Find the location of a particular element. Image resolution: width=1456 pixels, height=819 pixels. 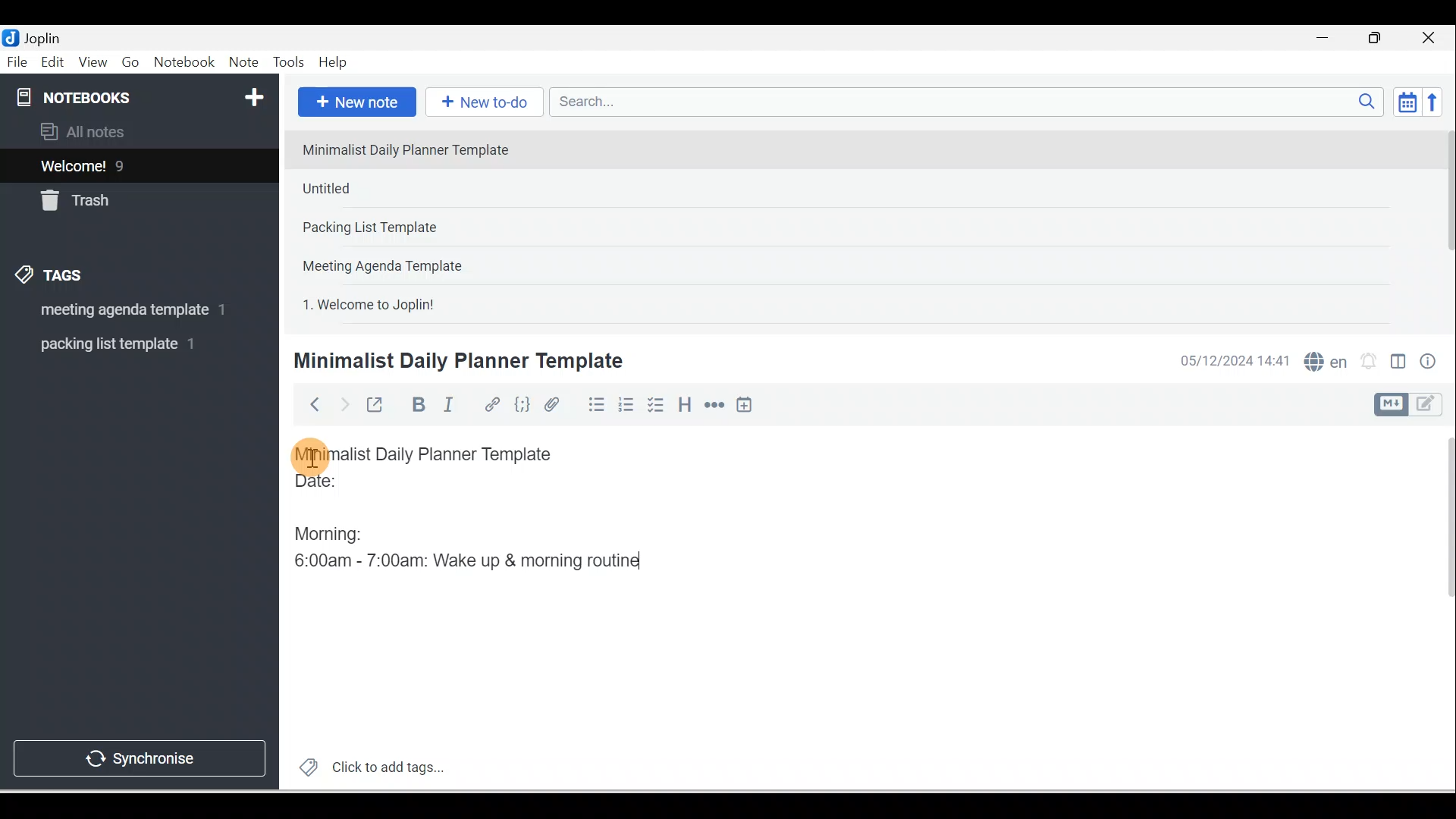

Note 2 is located at coordinates (401, 188).